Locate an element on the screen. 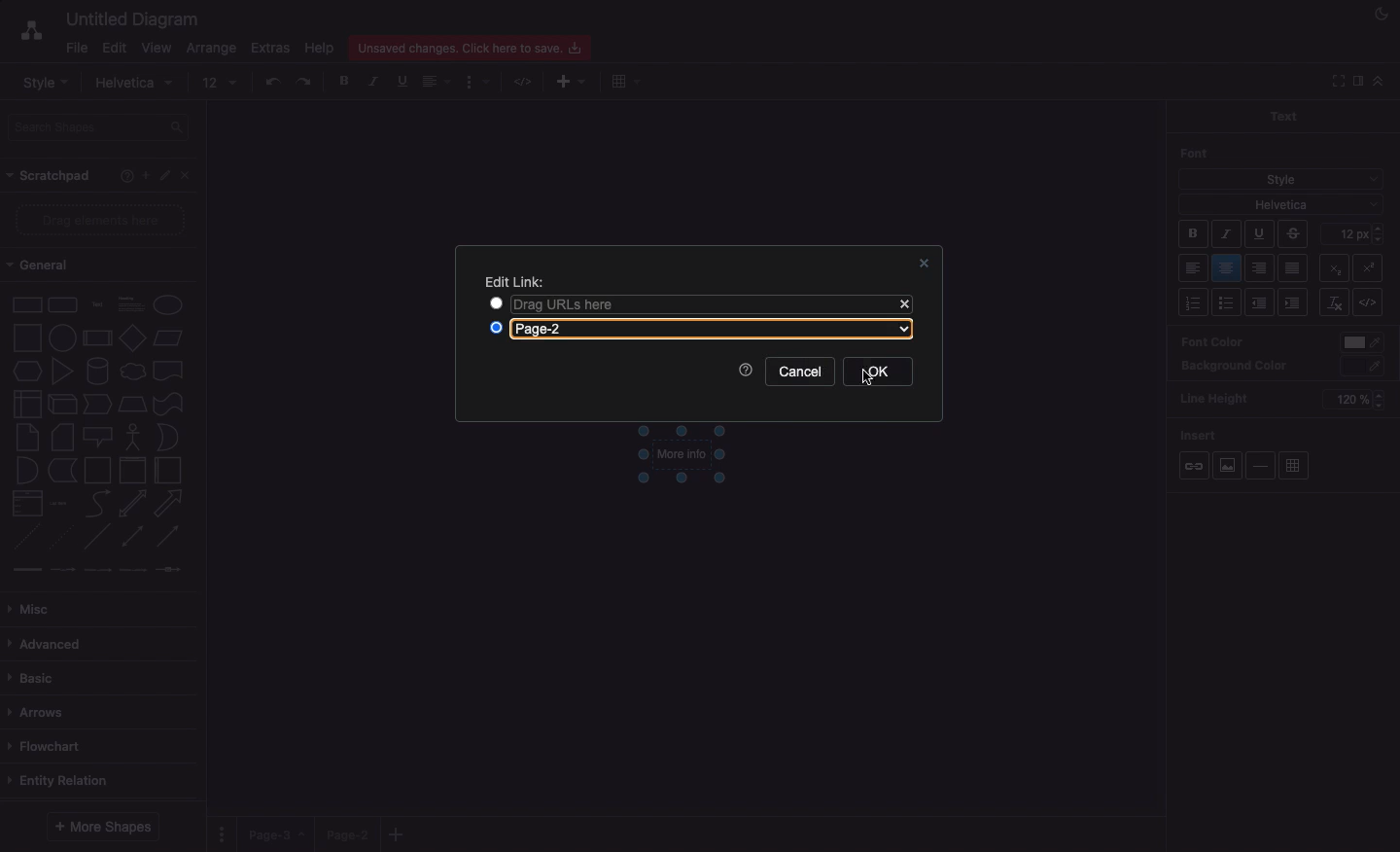  list is located at coordinates (28, 503).